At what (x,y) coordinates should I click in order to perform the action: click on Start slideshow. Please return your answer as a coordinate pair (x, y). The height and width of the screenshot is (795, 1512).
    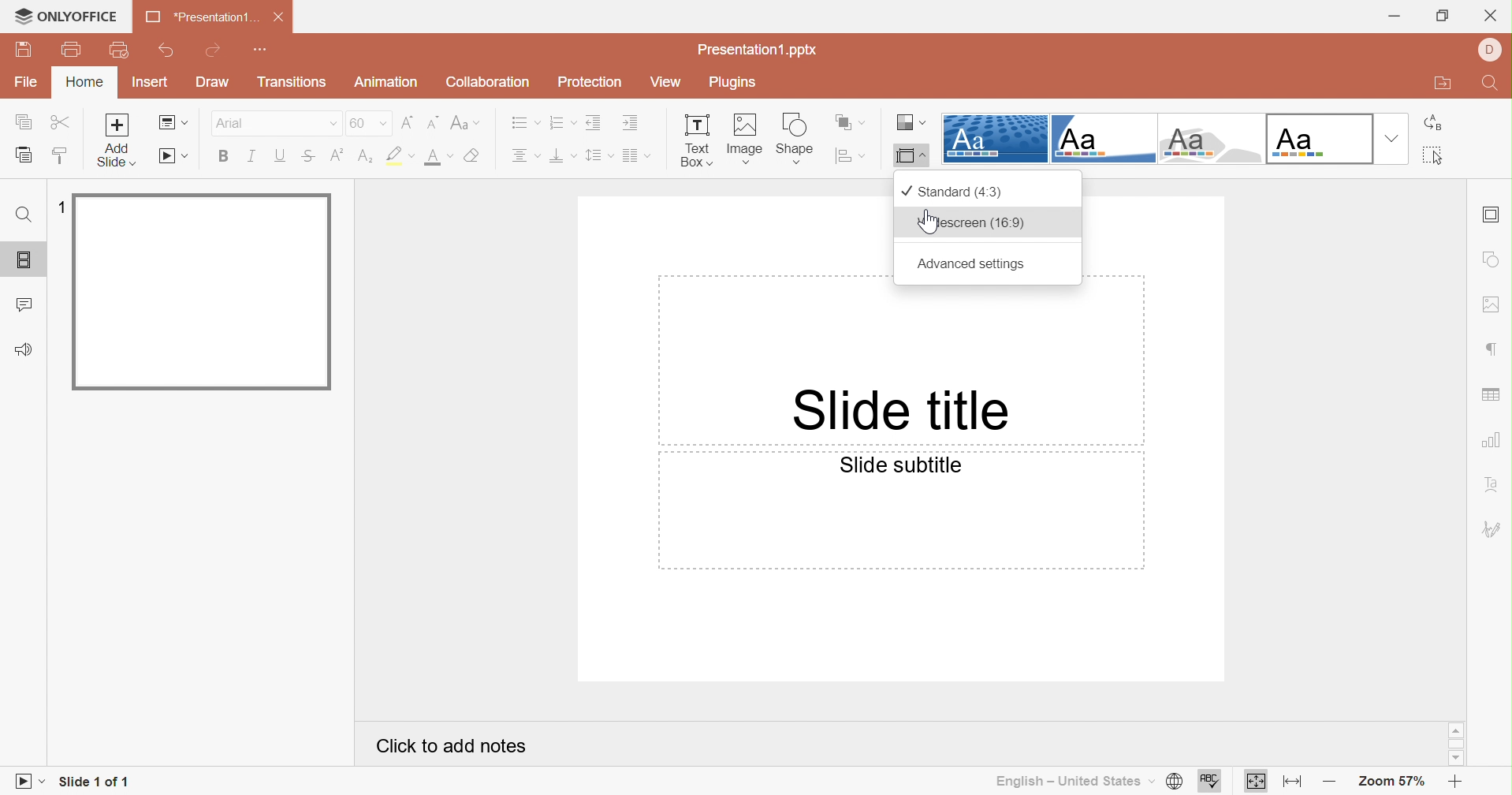
    Looking at the image, I should click on (25, 782).